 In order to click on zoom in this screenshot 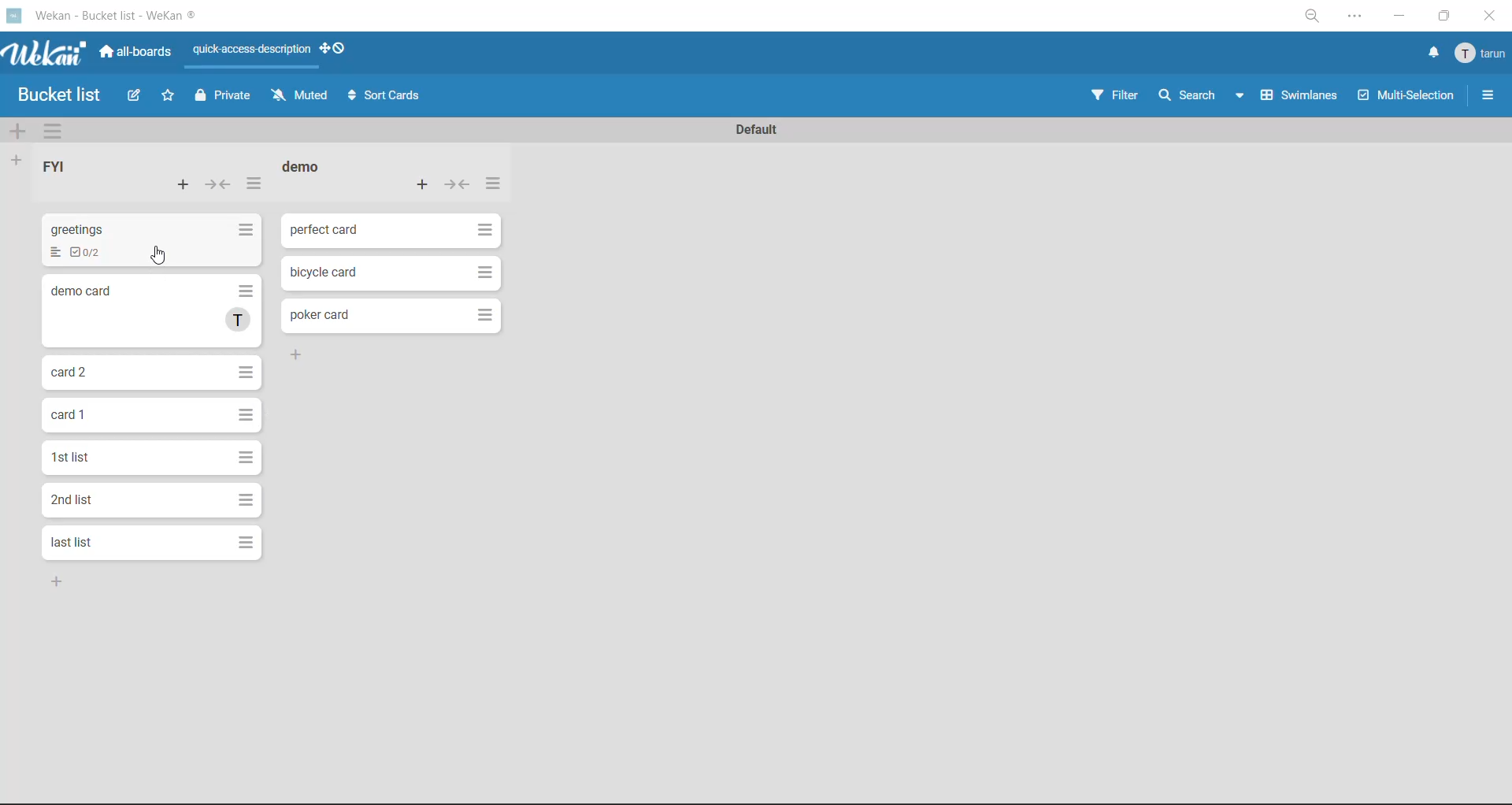, I will do `click(1312, 17)`.